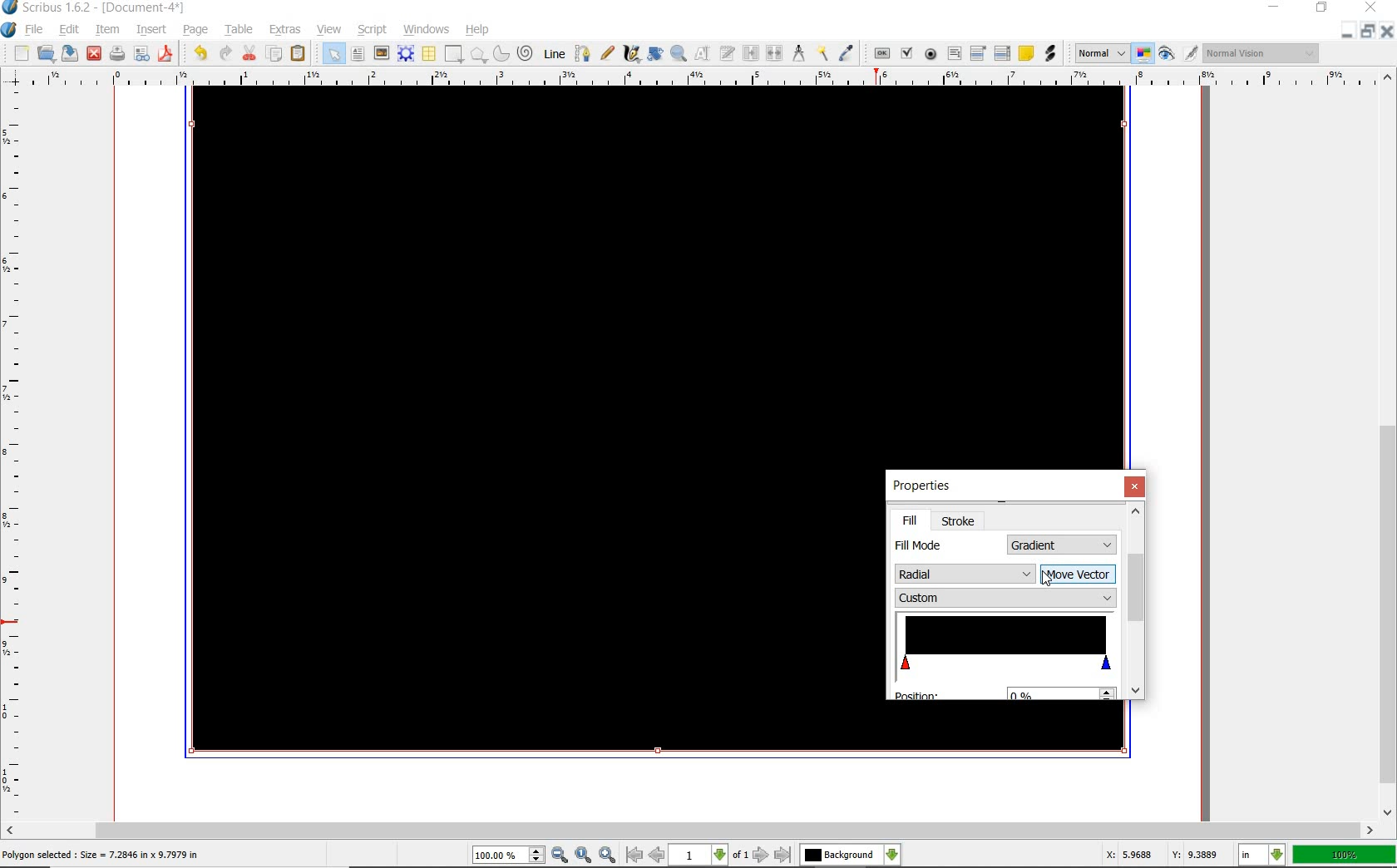 The height and width of the screenshot is (868, 1397). I want to click on table, so click(429, 54).